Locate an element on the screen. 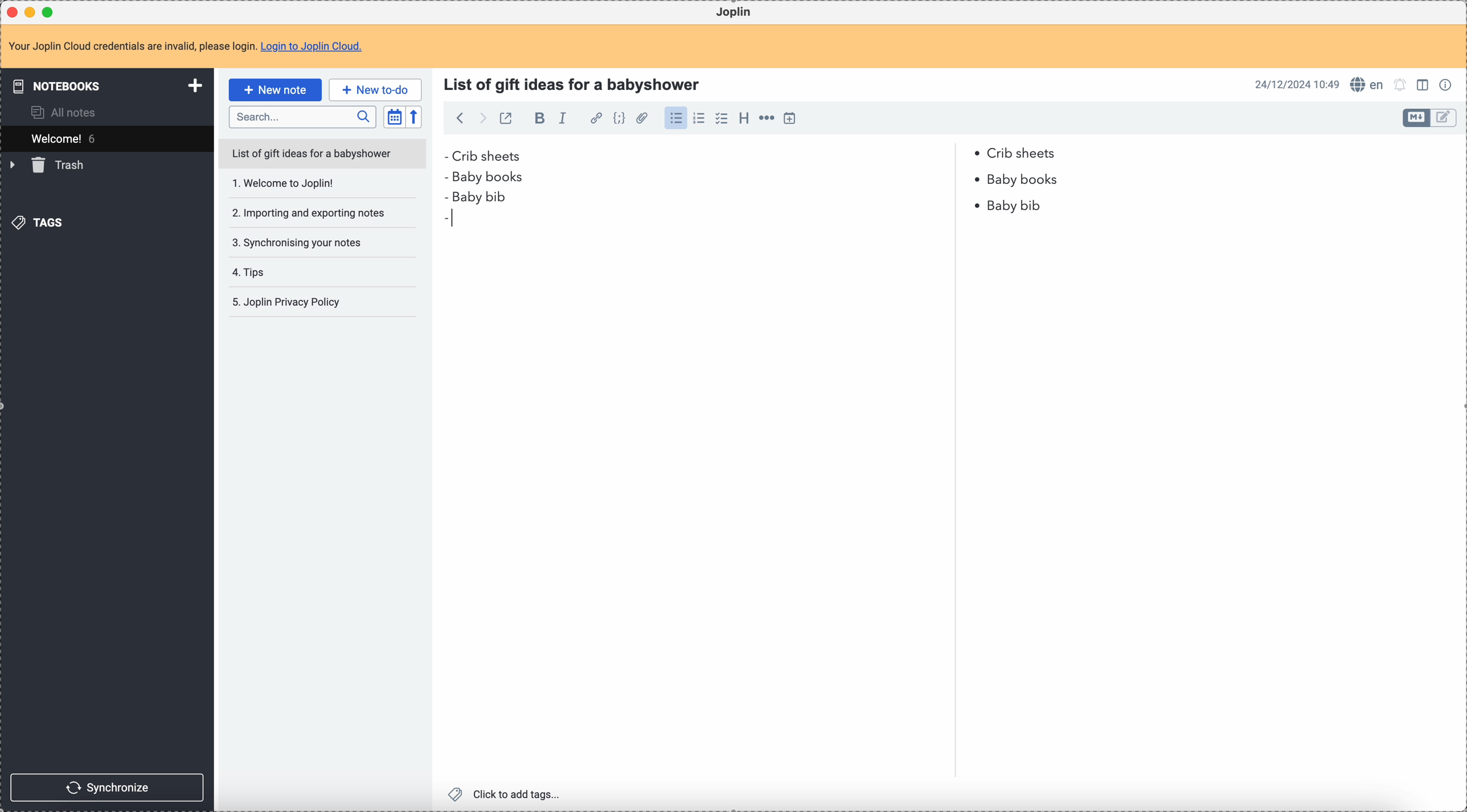 The height and width of the screenshot is (812, 1467). new to-do is located at coordinates (375, 89).